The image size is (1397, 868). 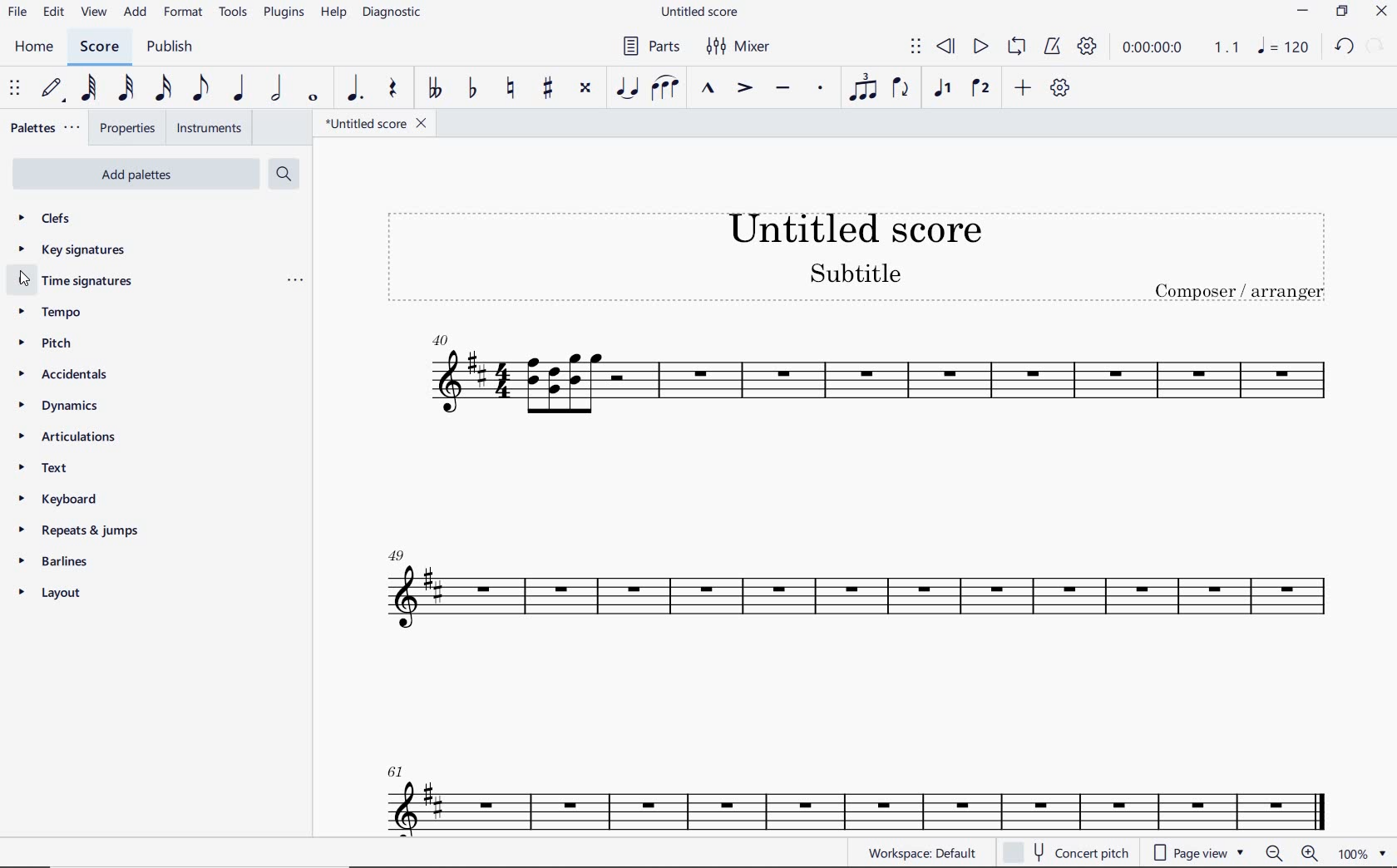 What do you see at coordinates (230, 12) in the screenshot?
I see `TOOLS` at bounding box center [230, 12].